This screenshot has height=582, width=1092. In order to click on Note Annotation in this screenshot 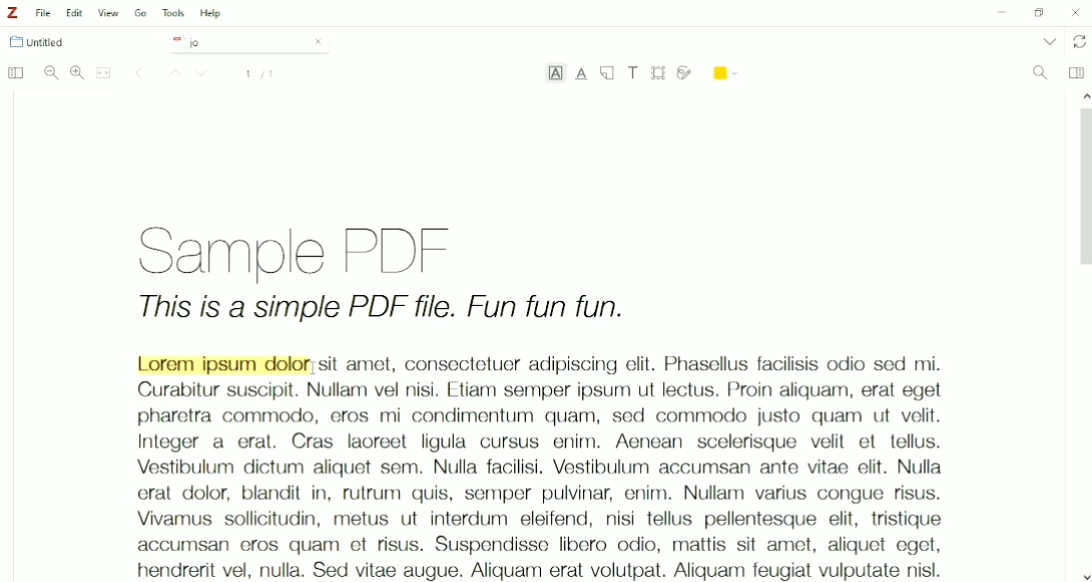, I will do `click(607, 74)`.